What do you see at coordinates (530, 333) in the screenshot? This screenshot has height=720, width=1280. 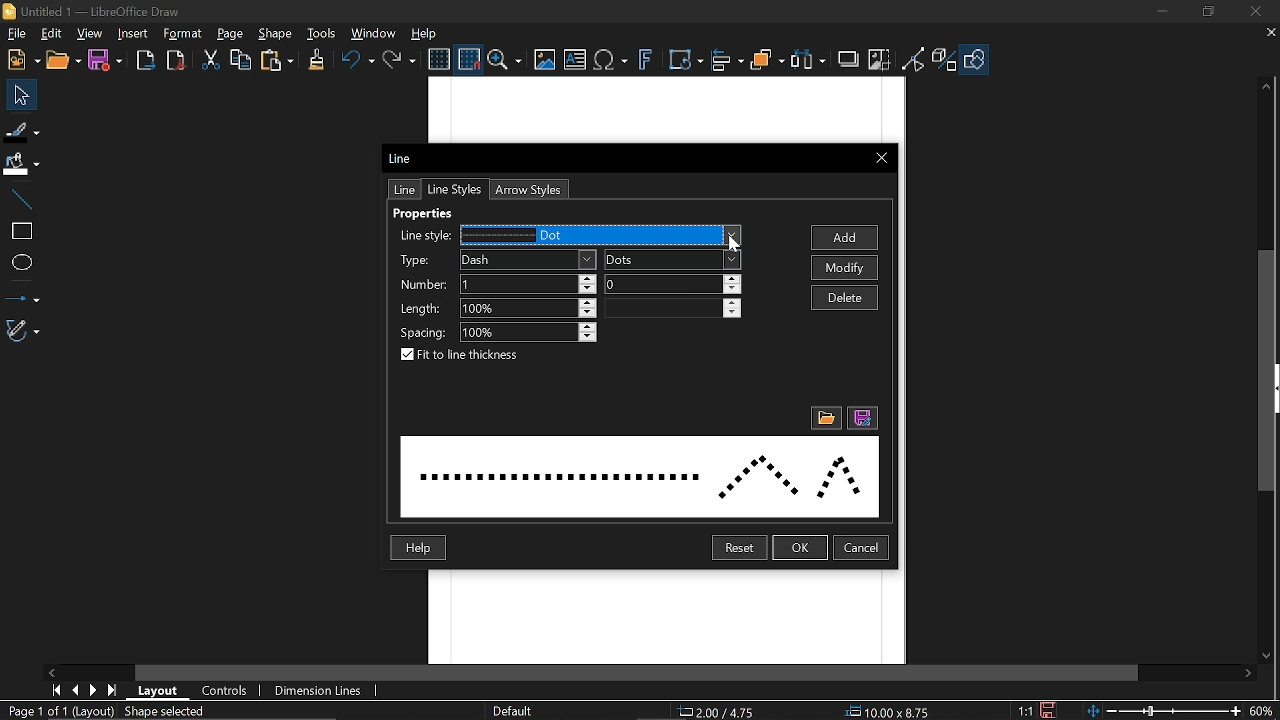 I see `Spacing` at bounding box center [530, 333].